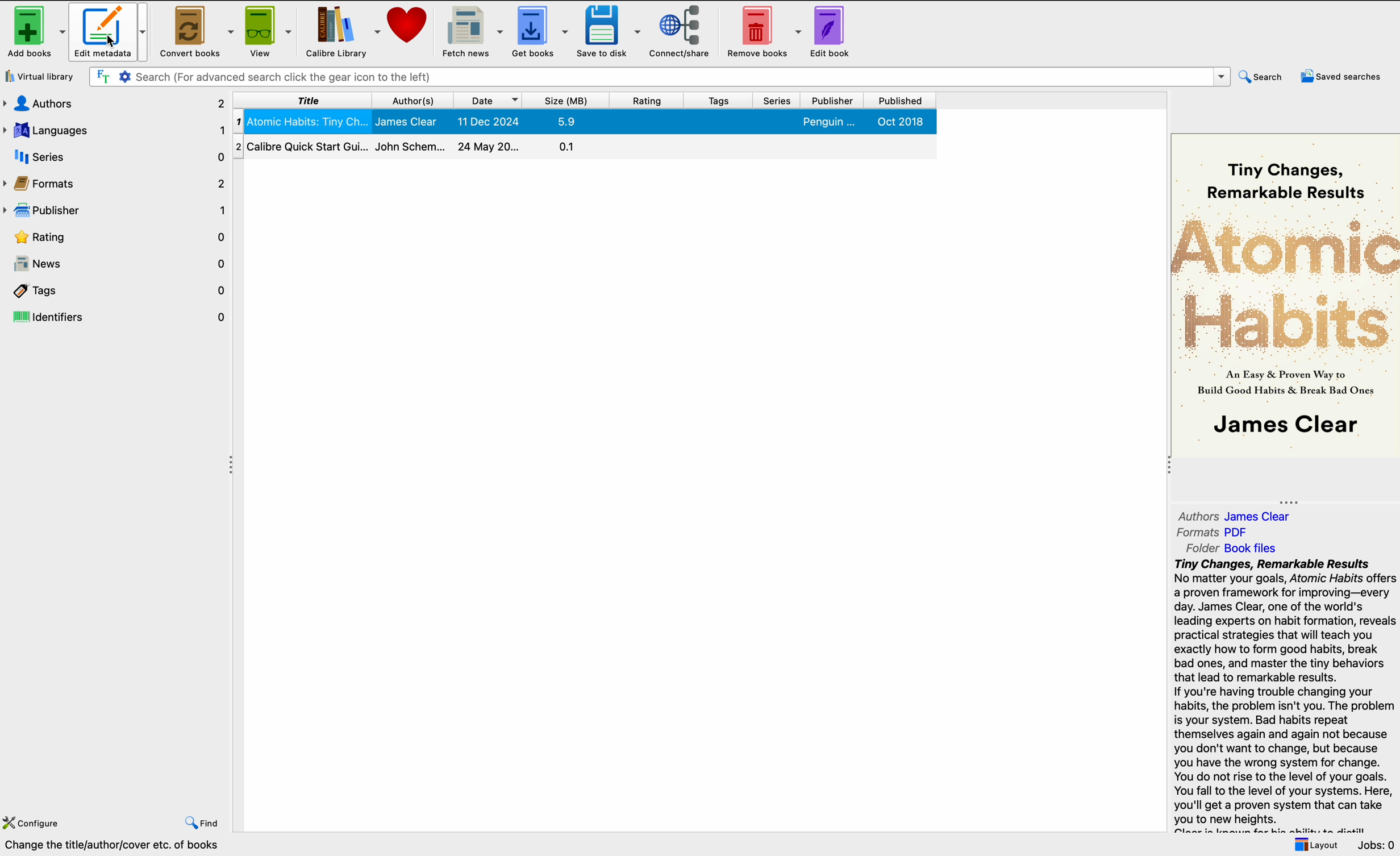 Image resolution: width=1400 pixels, height=856 pixels. I want to click on layout, so click(1315, 845).